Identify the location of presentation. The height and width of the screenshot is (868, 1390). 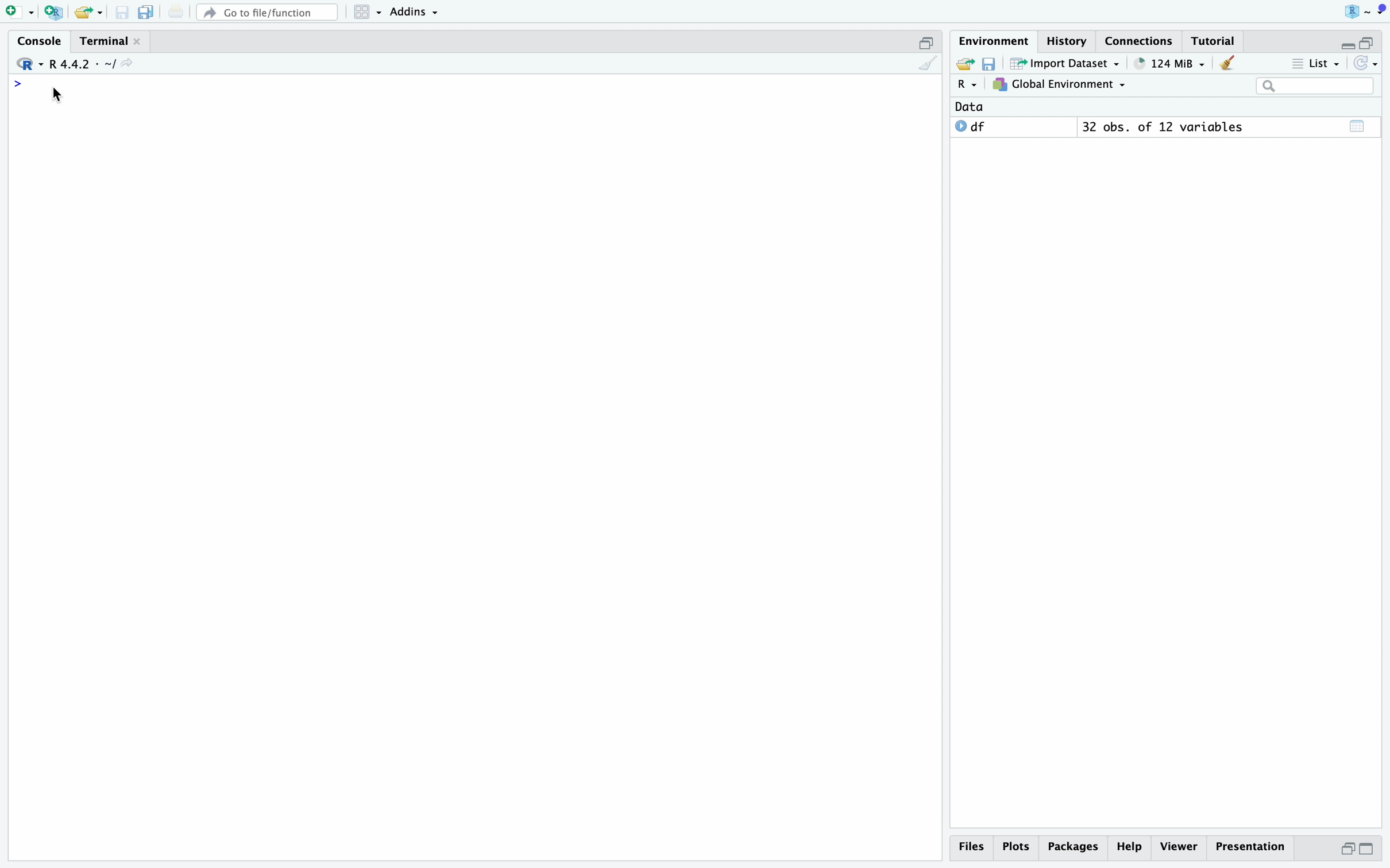
(1250, 847).